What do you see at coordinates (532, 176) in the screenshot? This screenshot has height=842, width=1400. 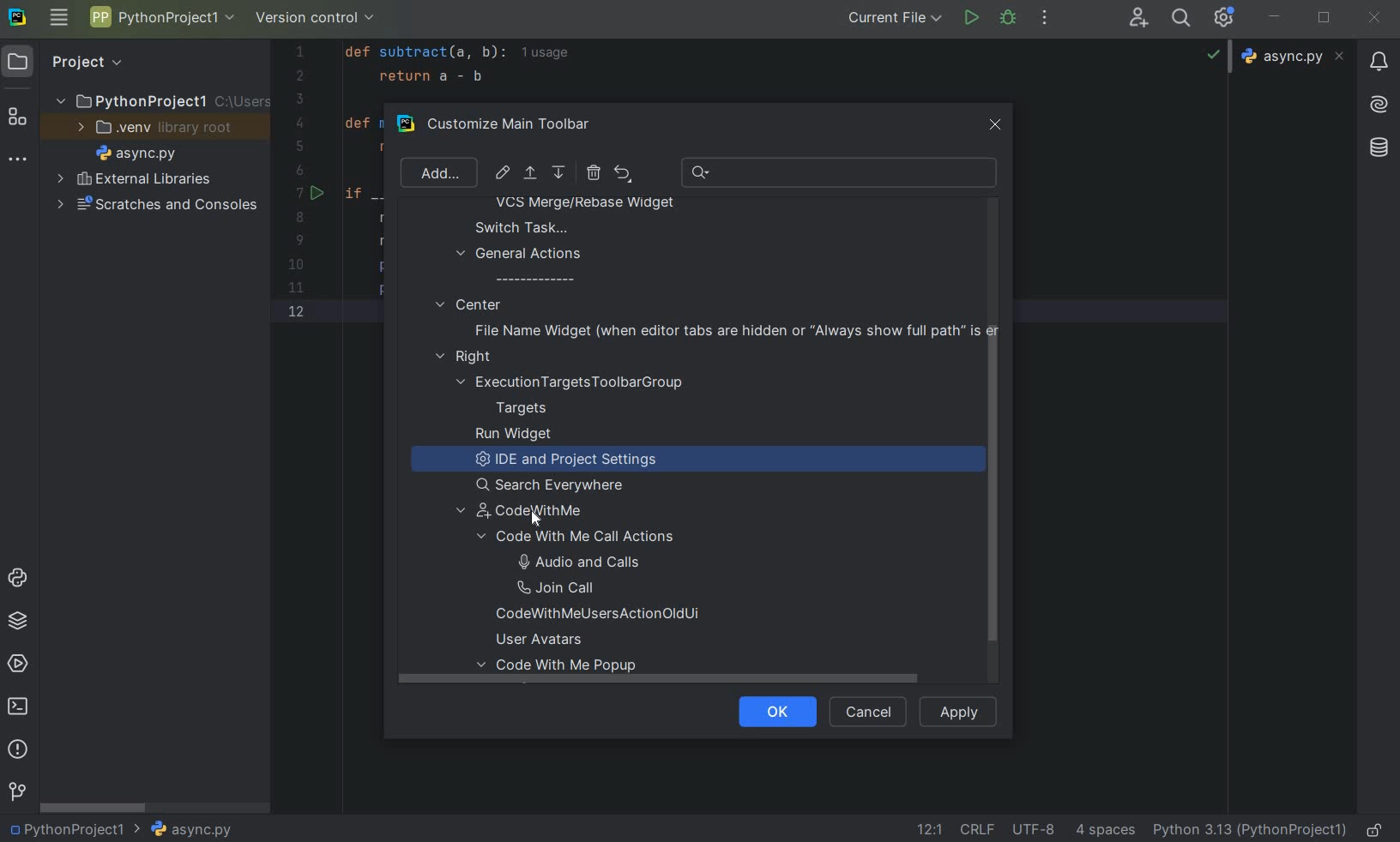 I see `select` at bounding box center [532, 176].